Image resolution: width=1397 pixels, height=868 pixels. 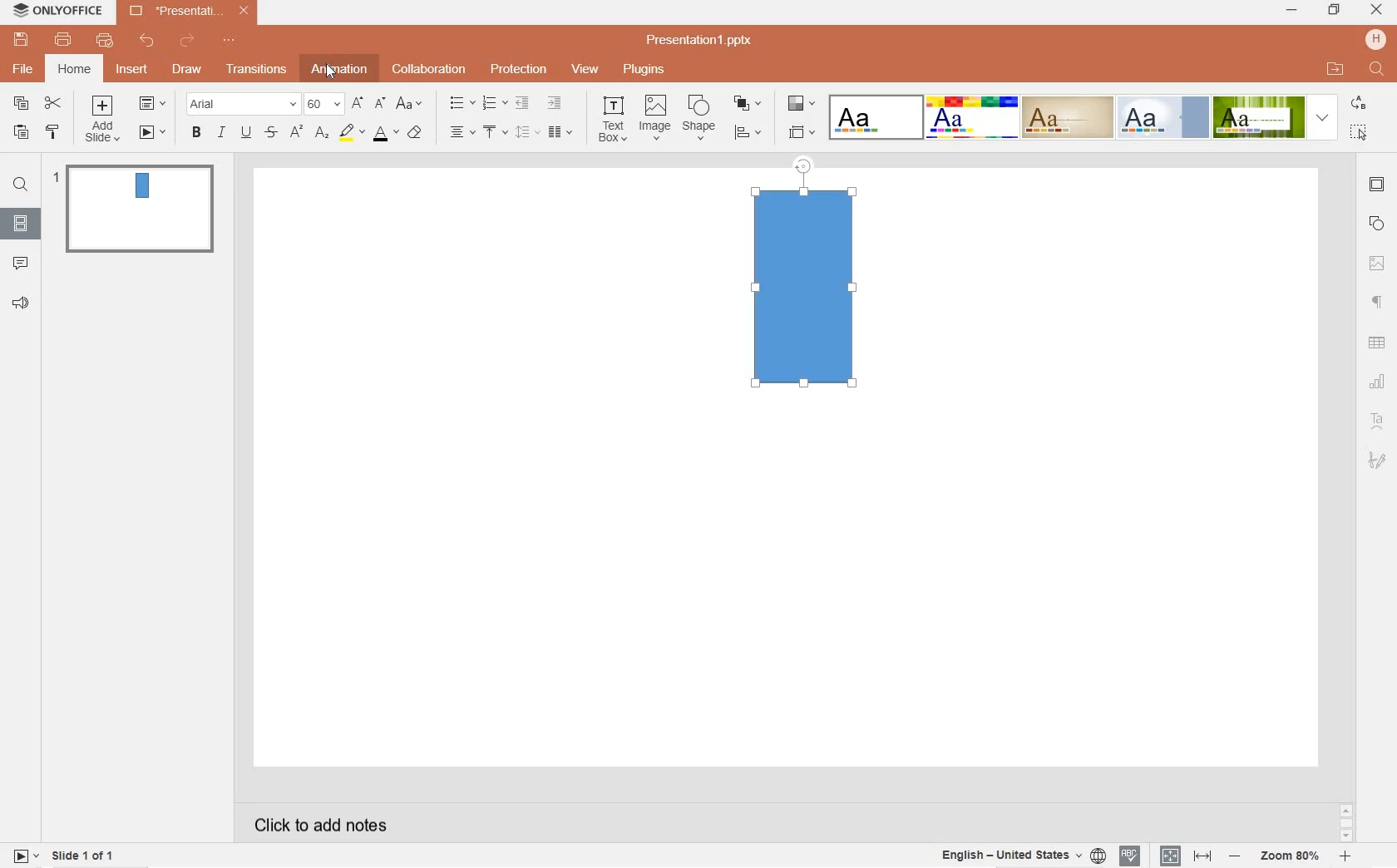 I want to click on arrange shape, so click(x=747, y=103).